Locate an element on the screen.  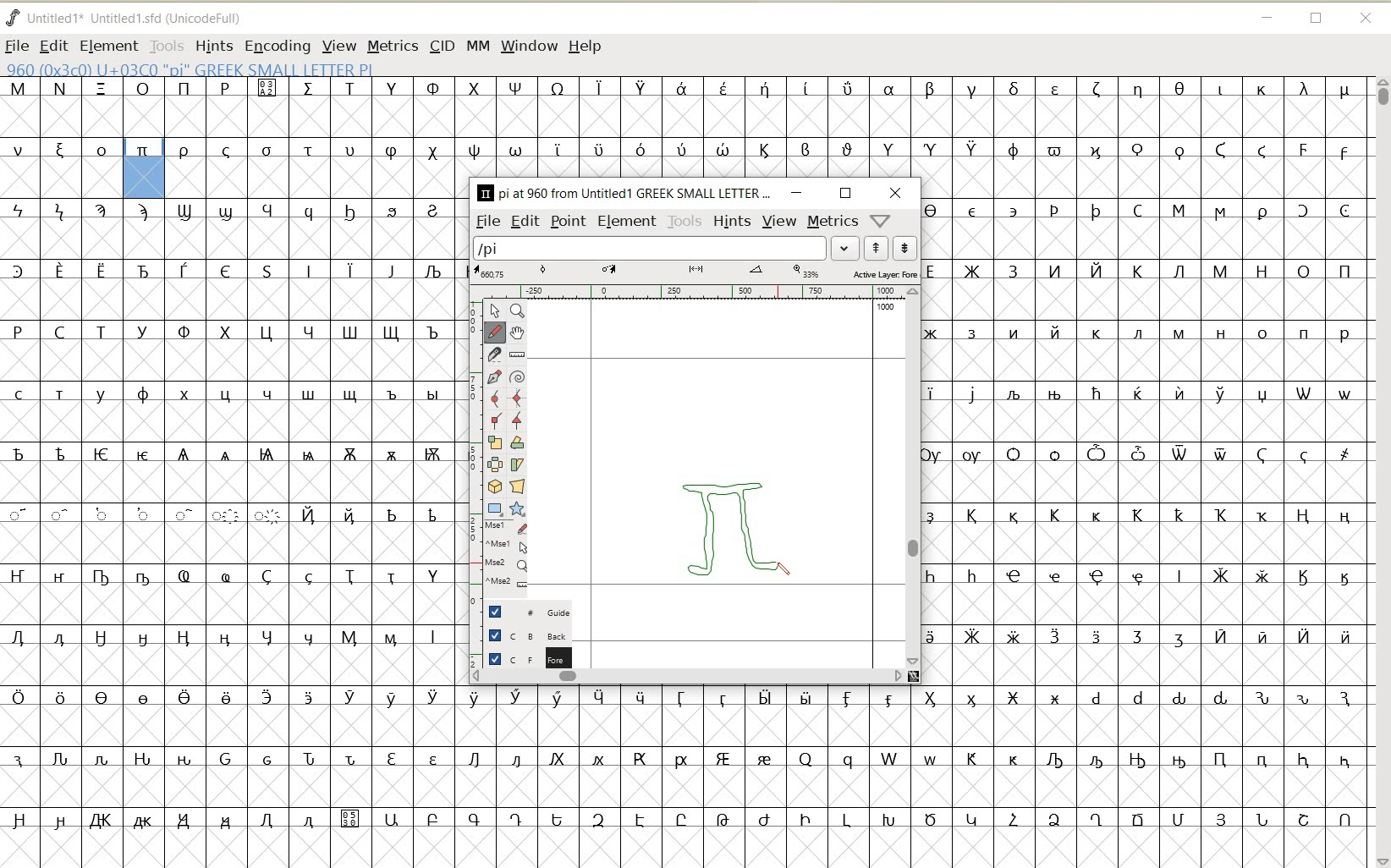
ENCODING is located at coordinates (278, 45).